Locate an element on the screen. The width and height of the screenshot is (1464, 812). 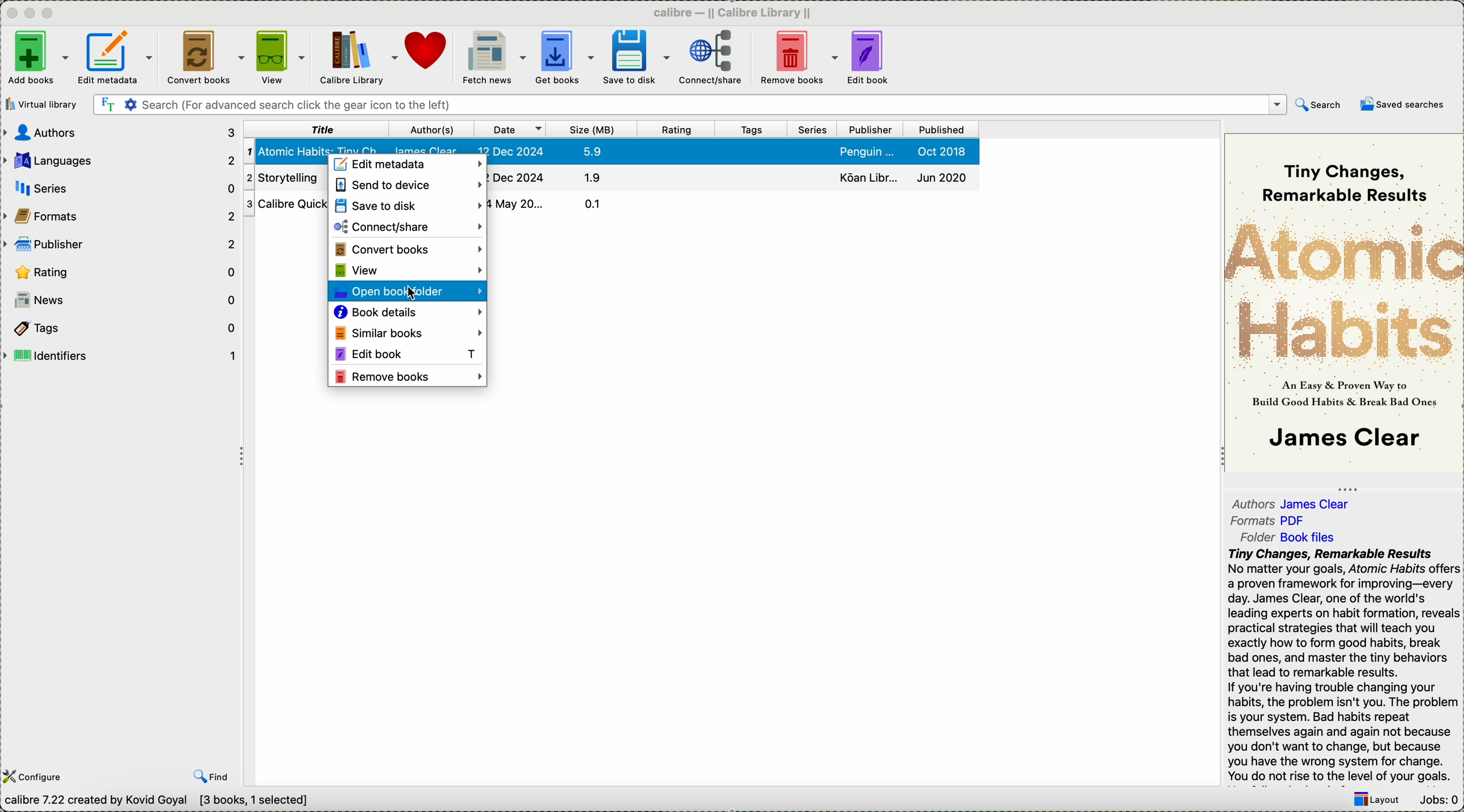
book cover preview is located at coordinates (1344, 302).